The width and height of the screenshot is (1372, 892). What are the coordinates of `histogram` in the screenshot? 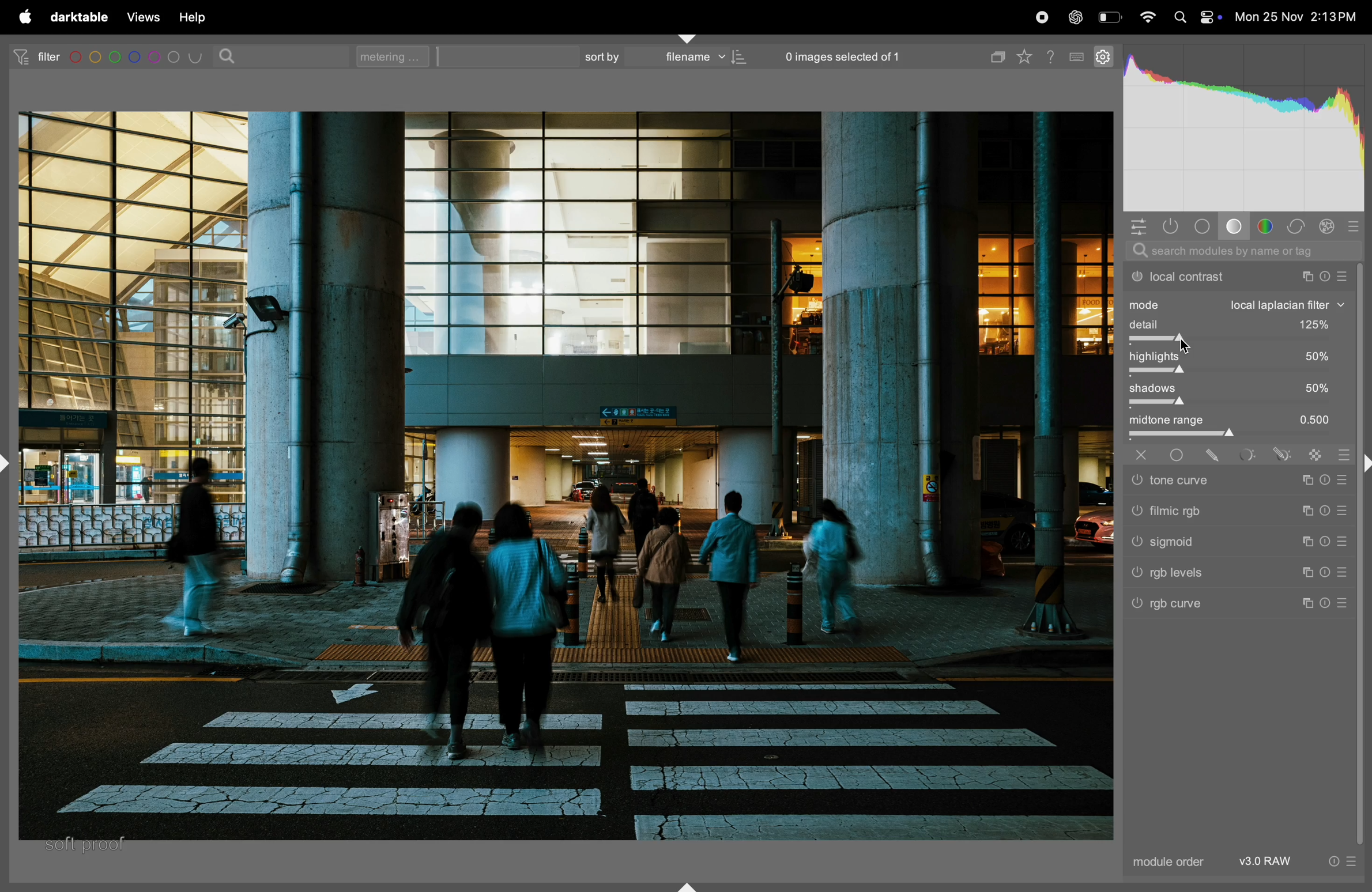 It's located at (1243, 129).